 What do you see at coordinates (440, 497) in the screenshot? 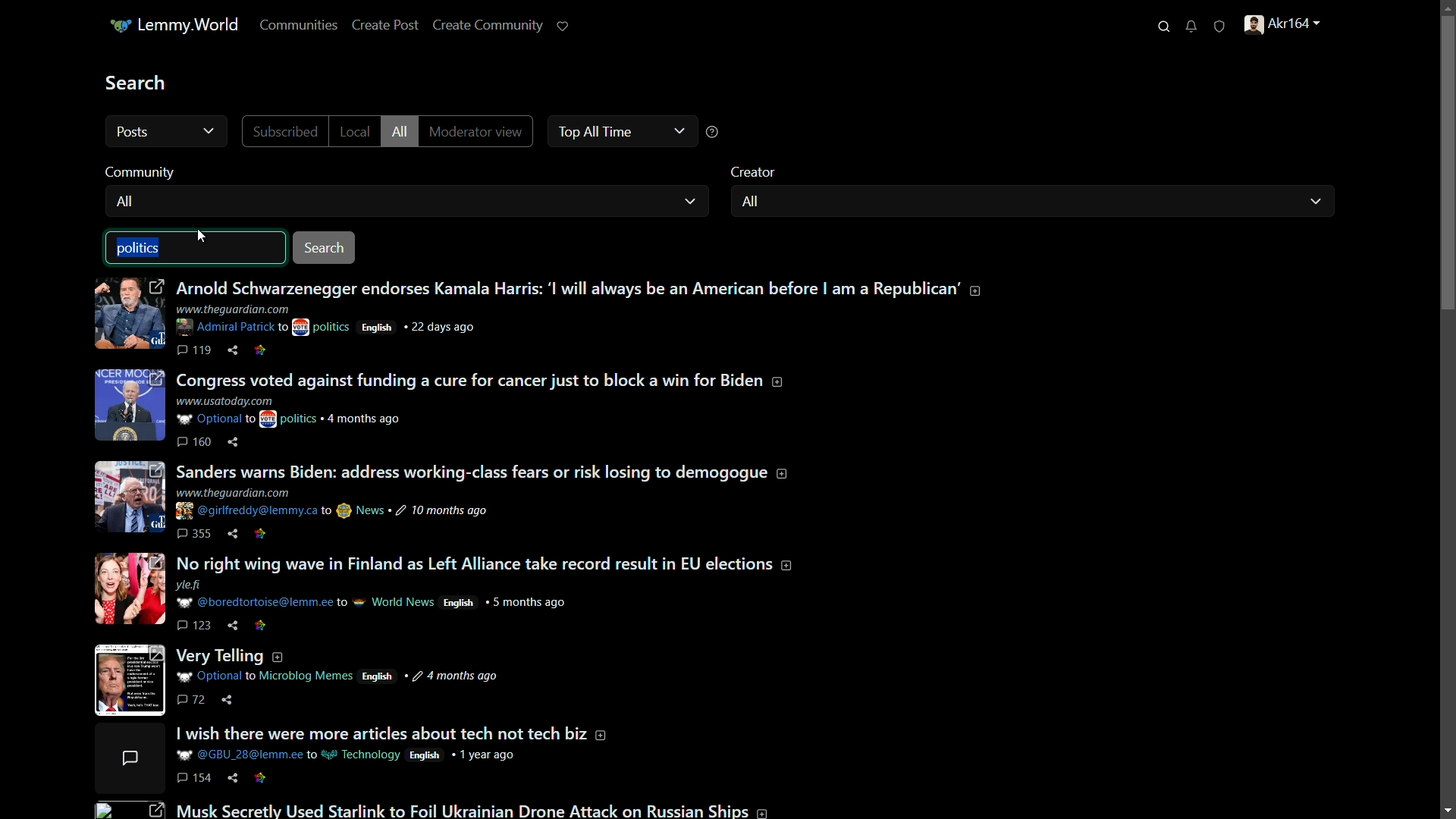
I see `post-3` at bounding box center [440, 497].